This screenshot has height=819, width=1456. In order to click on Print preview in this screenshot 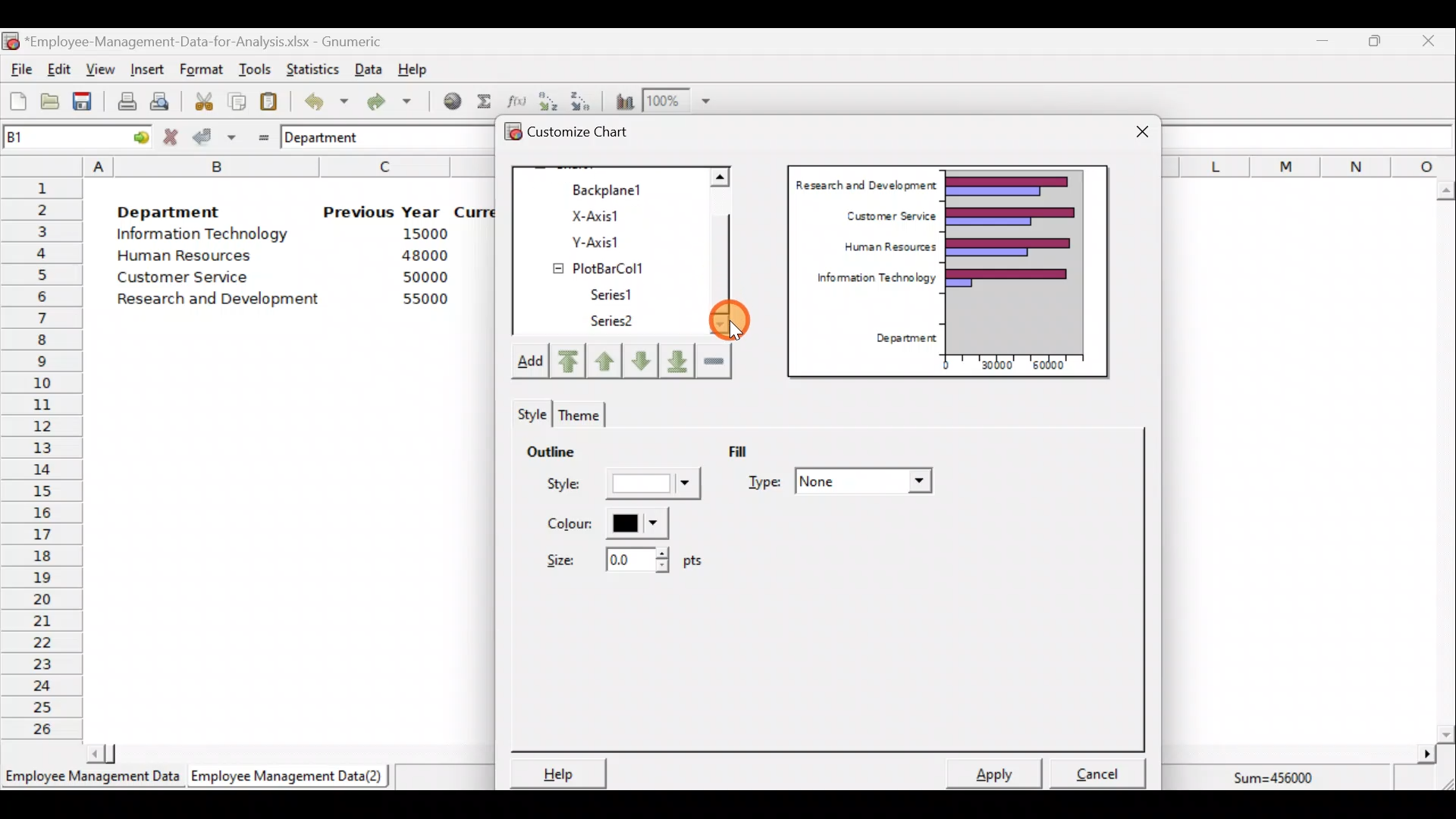, I will do `click(159, 99)`.